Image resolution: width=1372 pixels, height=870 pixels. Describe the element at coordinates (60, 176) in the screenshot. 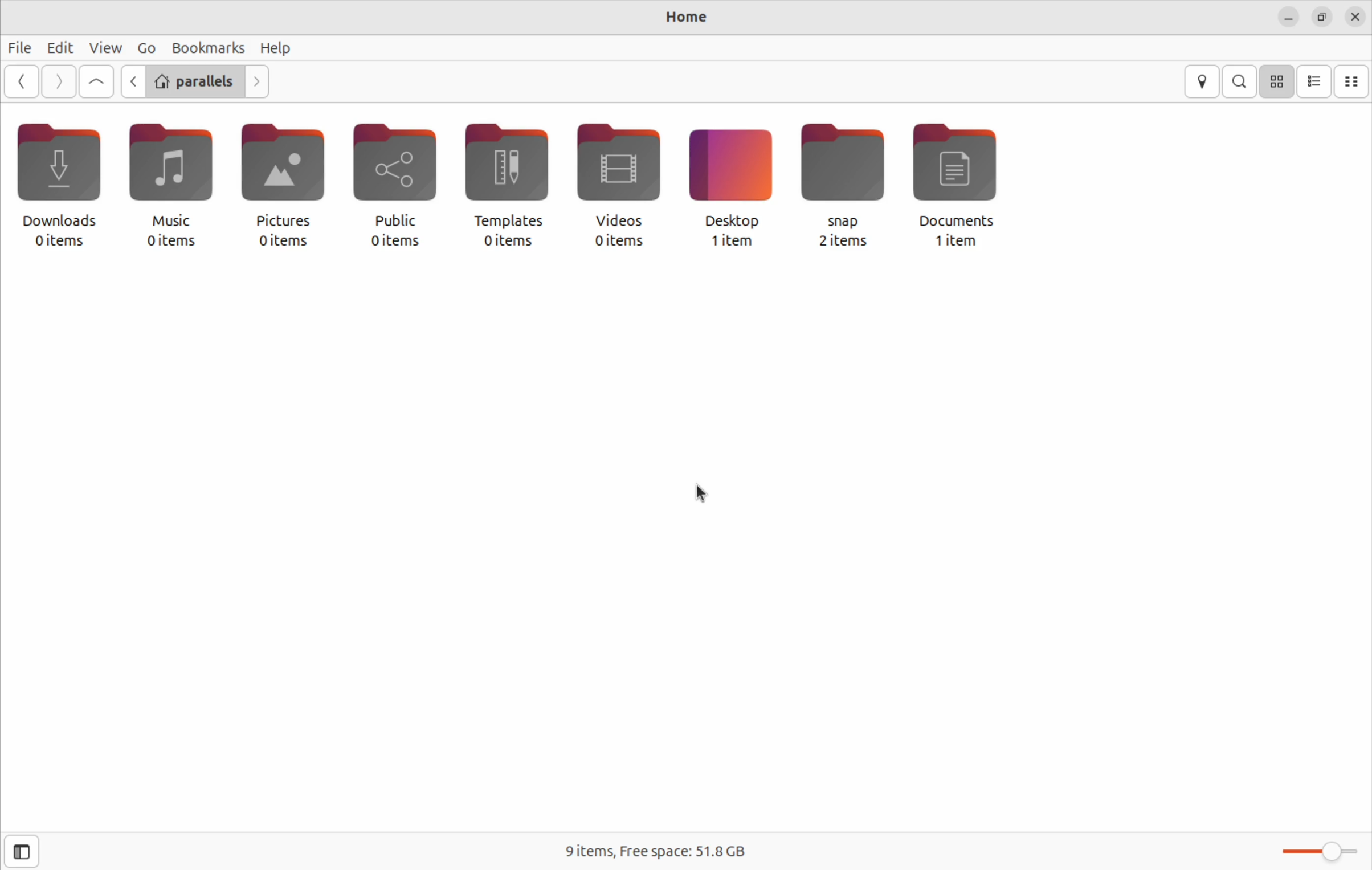

I see `downloads` at that location.